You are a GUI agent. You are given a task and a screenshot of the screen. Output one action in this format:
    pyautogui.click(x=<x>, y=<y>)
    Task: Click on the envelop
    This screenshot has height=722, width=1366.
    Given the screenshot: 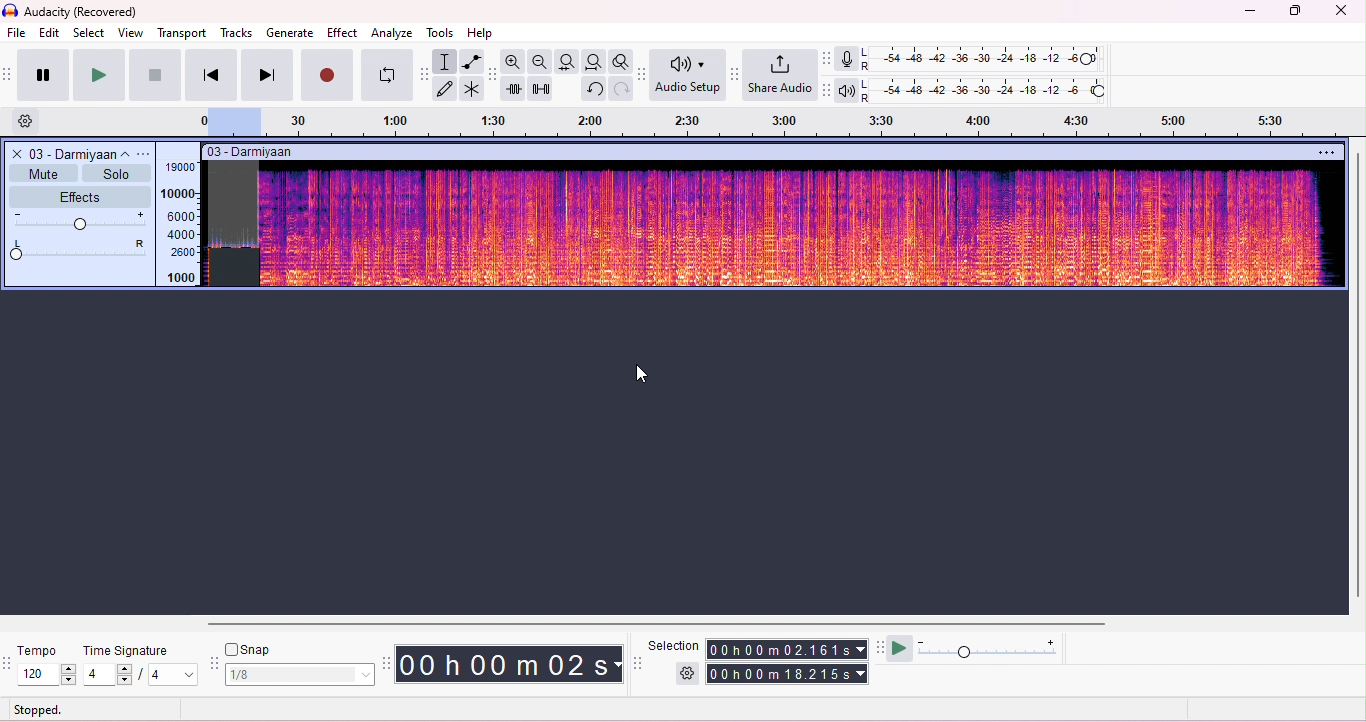 What is the action you would take?
    pyautogui.click(x=474, y=62)
    